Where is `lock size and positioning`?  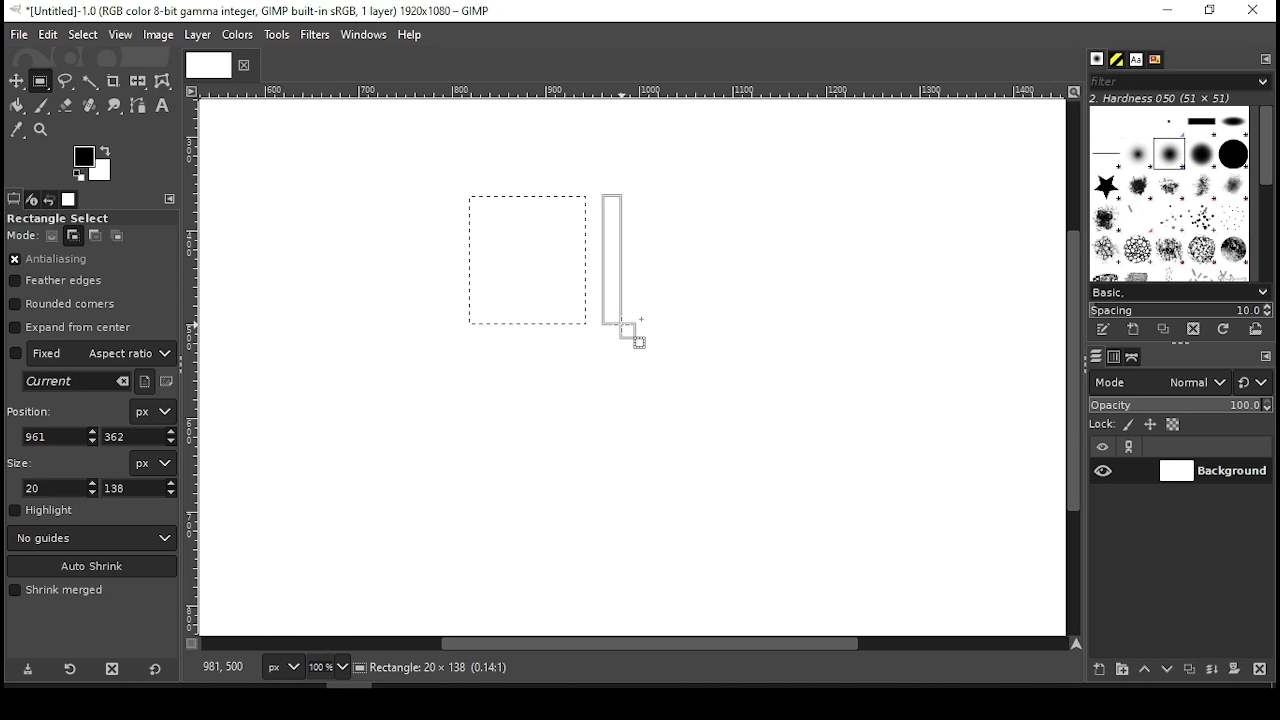
lock size and positioning is located at coordinates (1152, 425).